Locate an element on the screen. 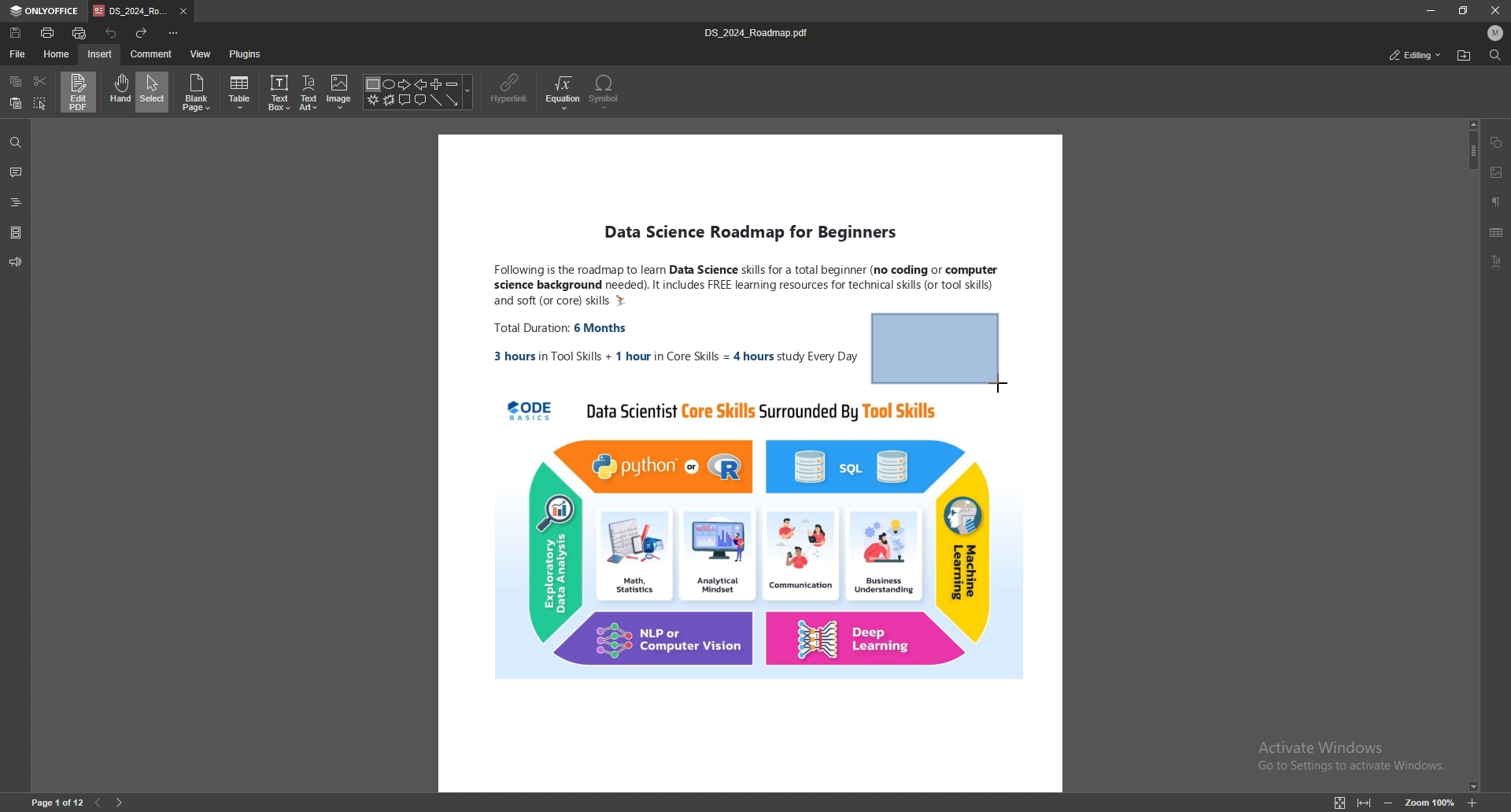  rectangle is located at coordinates (941, 341).